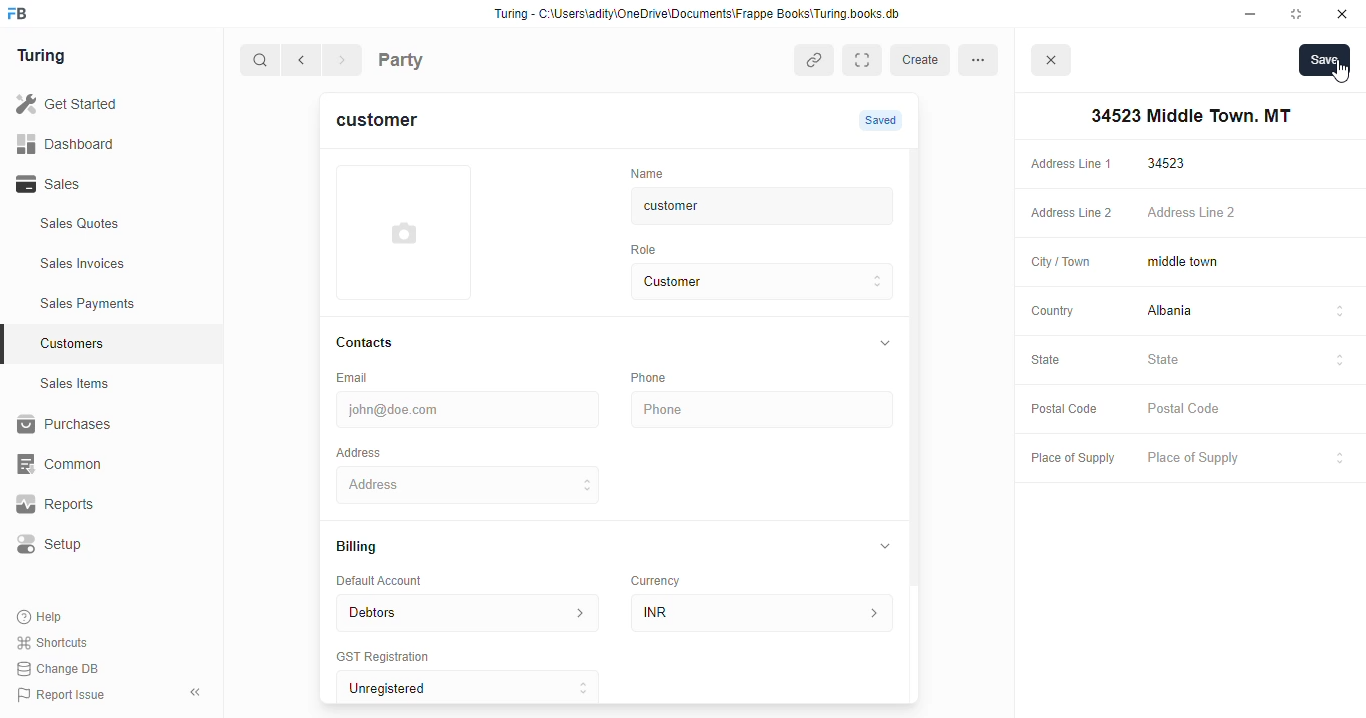 This screenshot has height=718, width=1366. What do you see at coordinates (652, 172) in the screenshot?
I see `‘Name` at bounding box center [652, 172].